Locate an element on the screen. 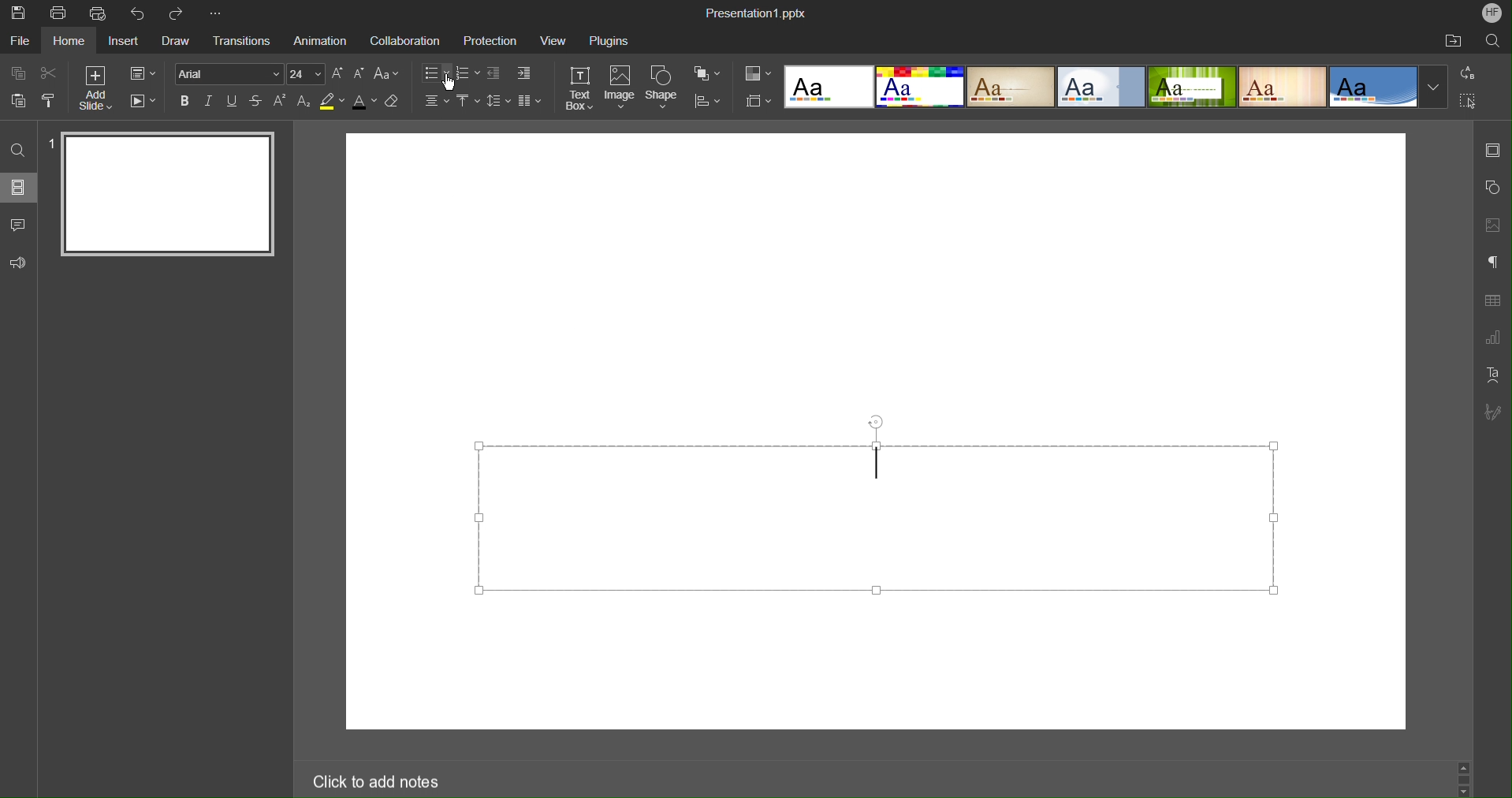 This screenshot has width=1512, height=798. Replace is located at coordinates (1469, 73).